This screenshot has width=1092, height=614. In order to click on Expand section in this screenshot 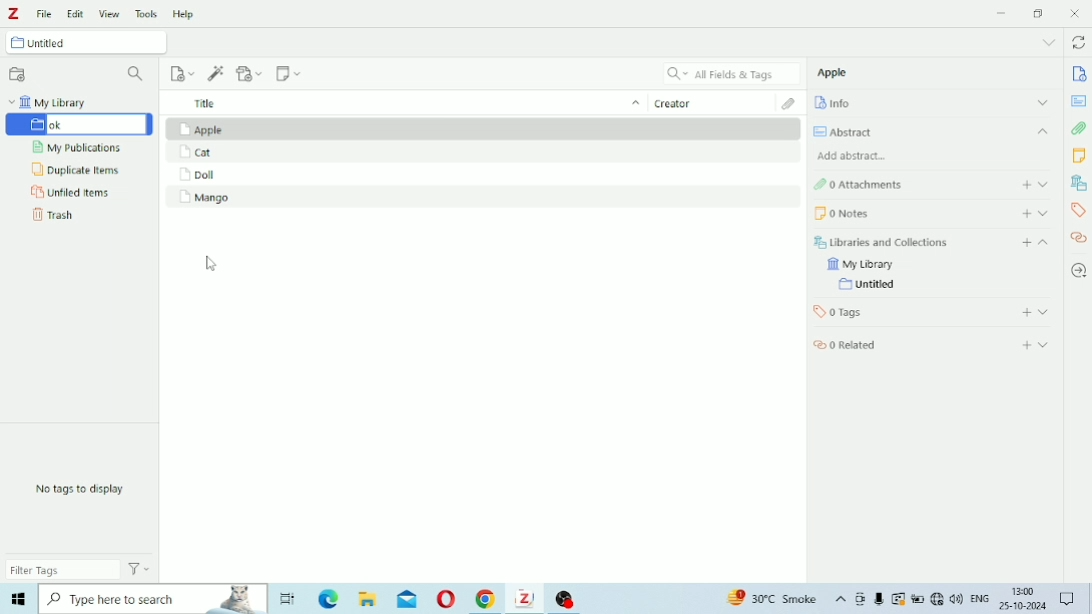, I will do `click(1043, 184)`.